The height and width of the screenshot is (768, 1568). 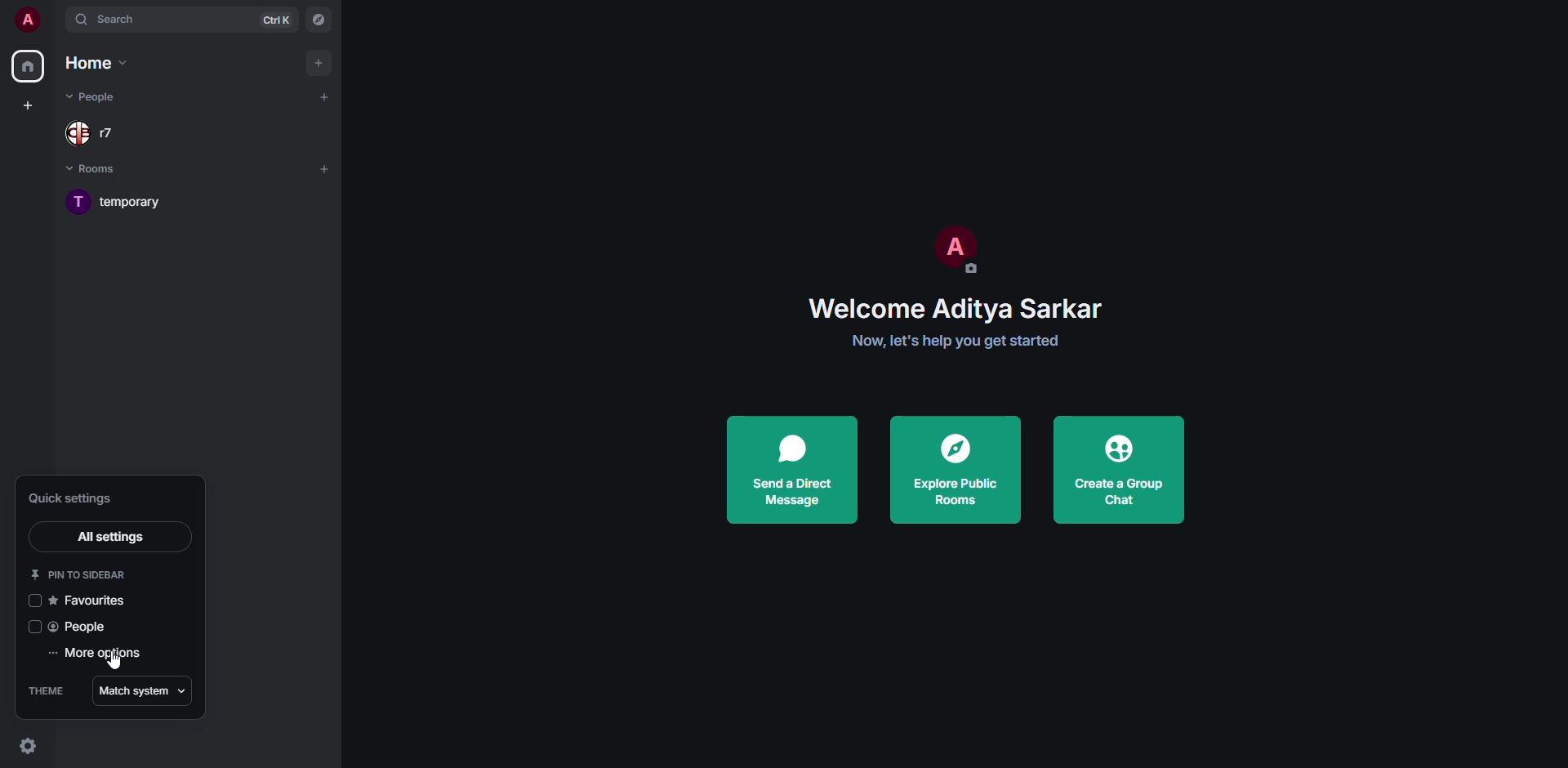 What do you see at coordinates (89, 601) in the screenshot?
I see `favorites` at bounding box center [89, 601].